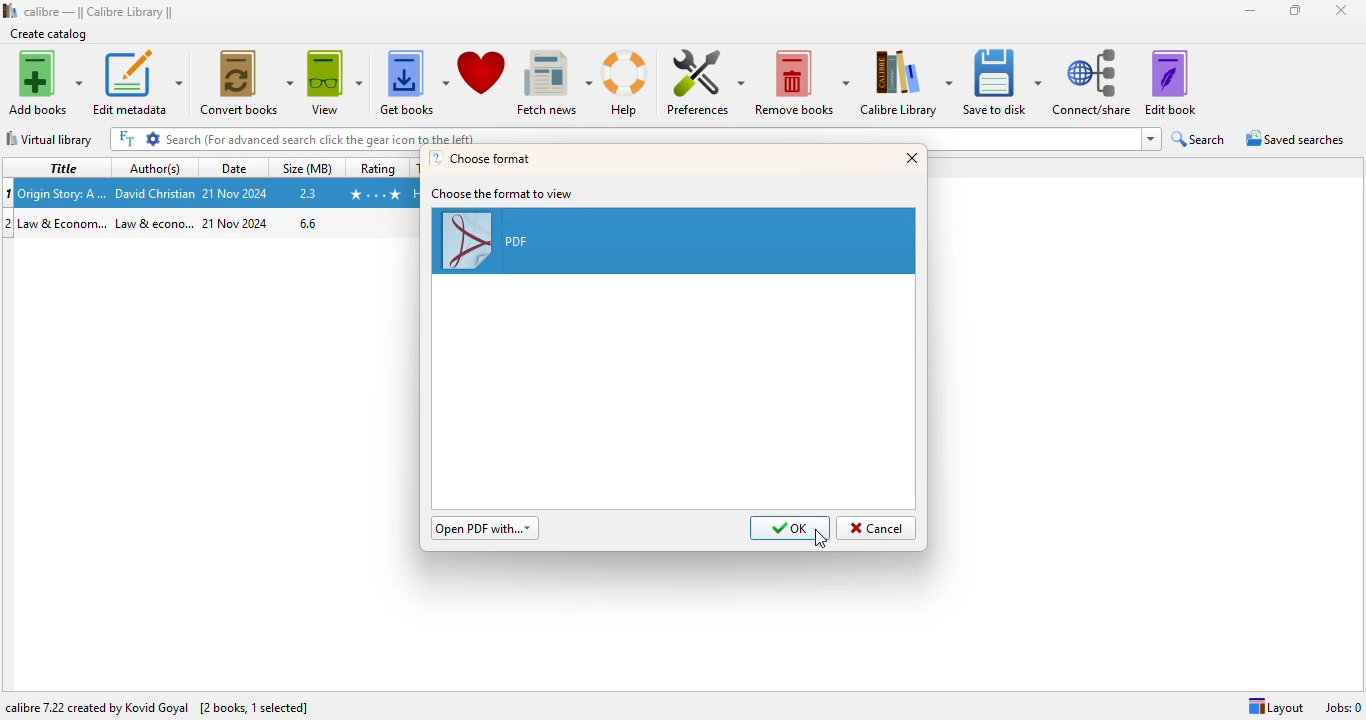  What do you see at coordinates (1200, 139) in the screenshot?
I see `search` at bounding box center [1200, 139].